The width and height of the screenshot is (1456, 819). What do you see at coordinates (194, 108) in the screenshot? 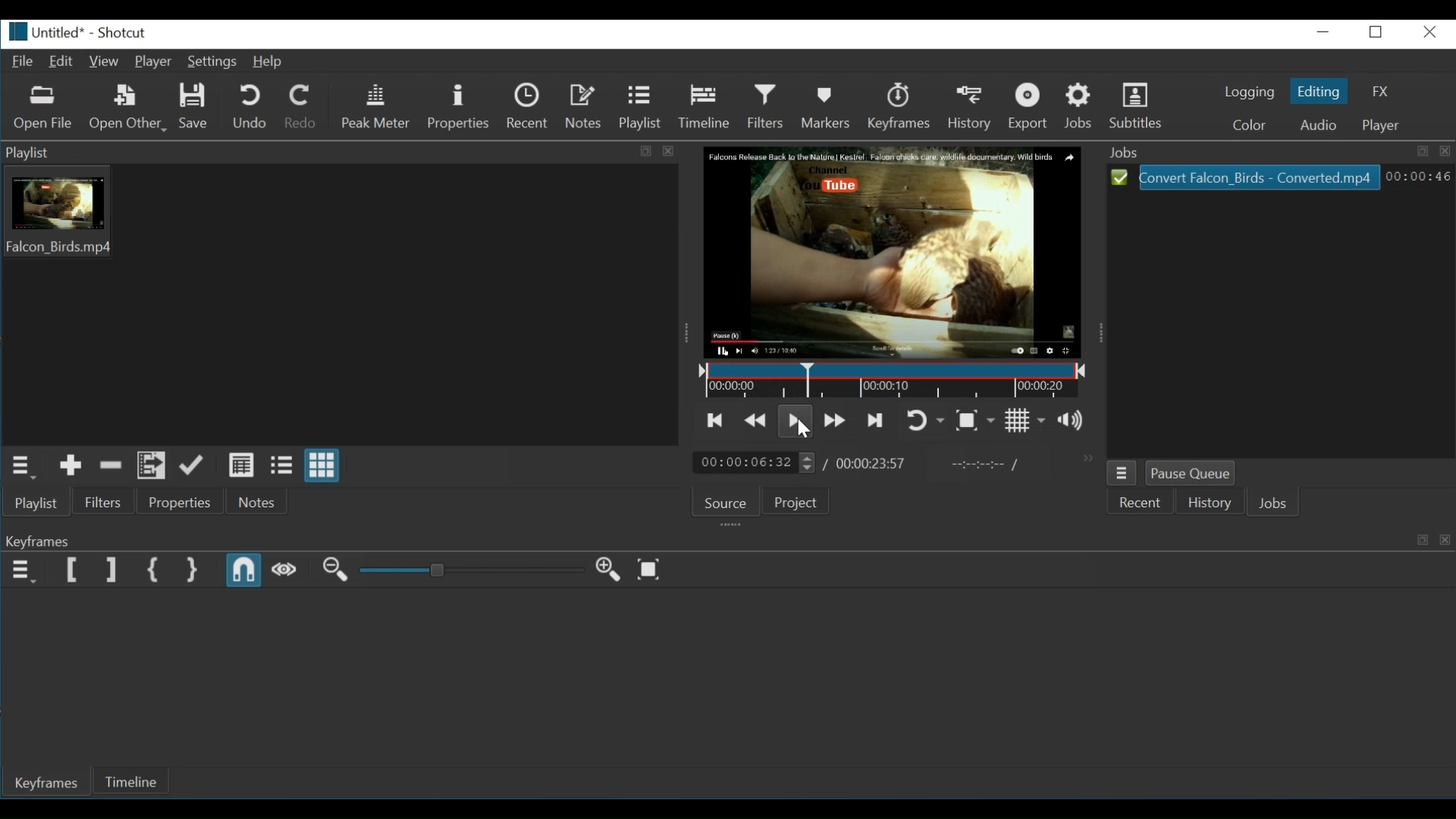
I see `Save` at bounding box center [194, 108].